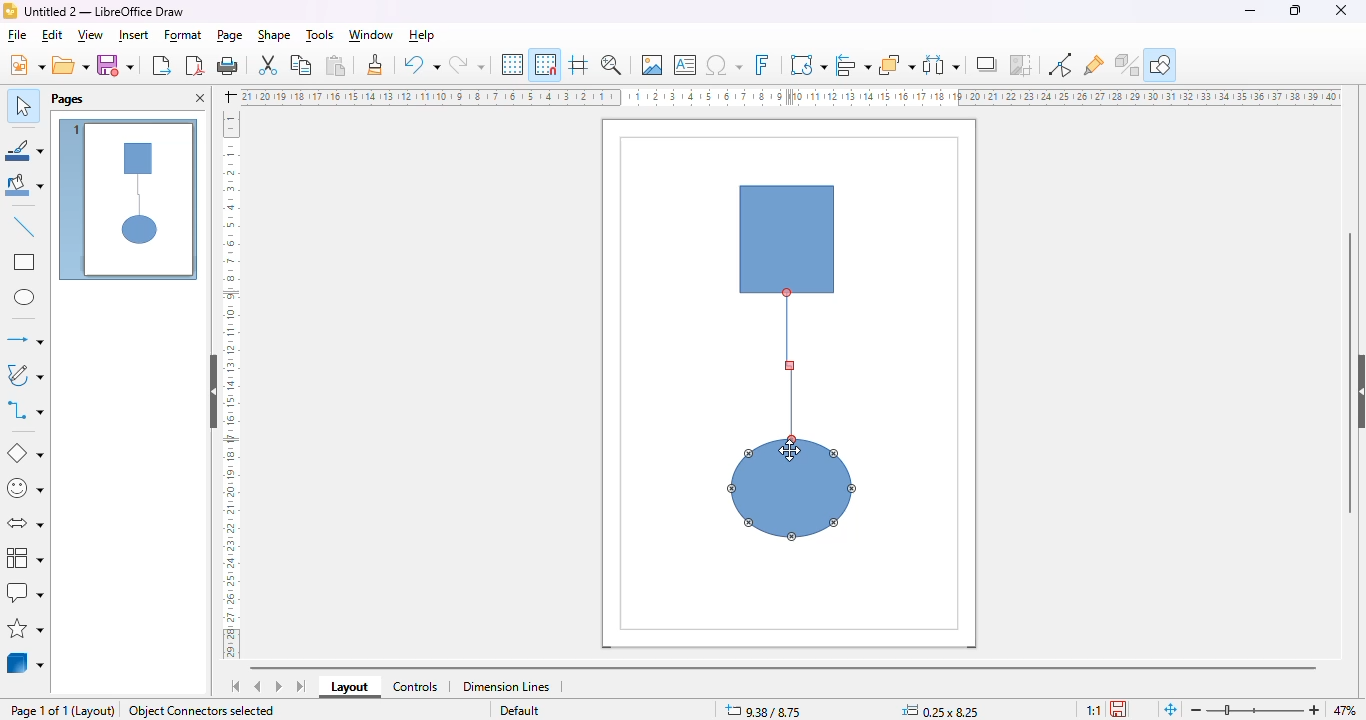 This screenshot has height=720, width=1366. I want to click on show draw functions, so click(1163, 63).